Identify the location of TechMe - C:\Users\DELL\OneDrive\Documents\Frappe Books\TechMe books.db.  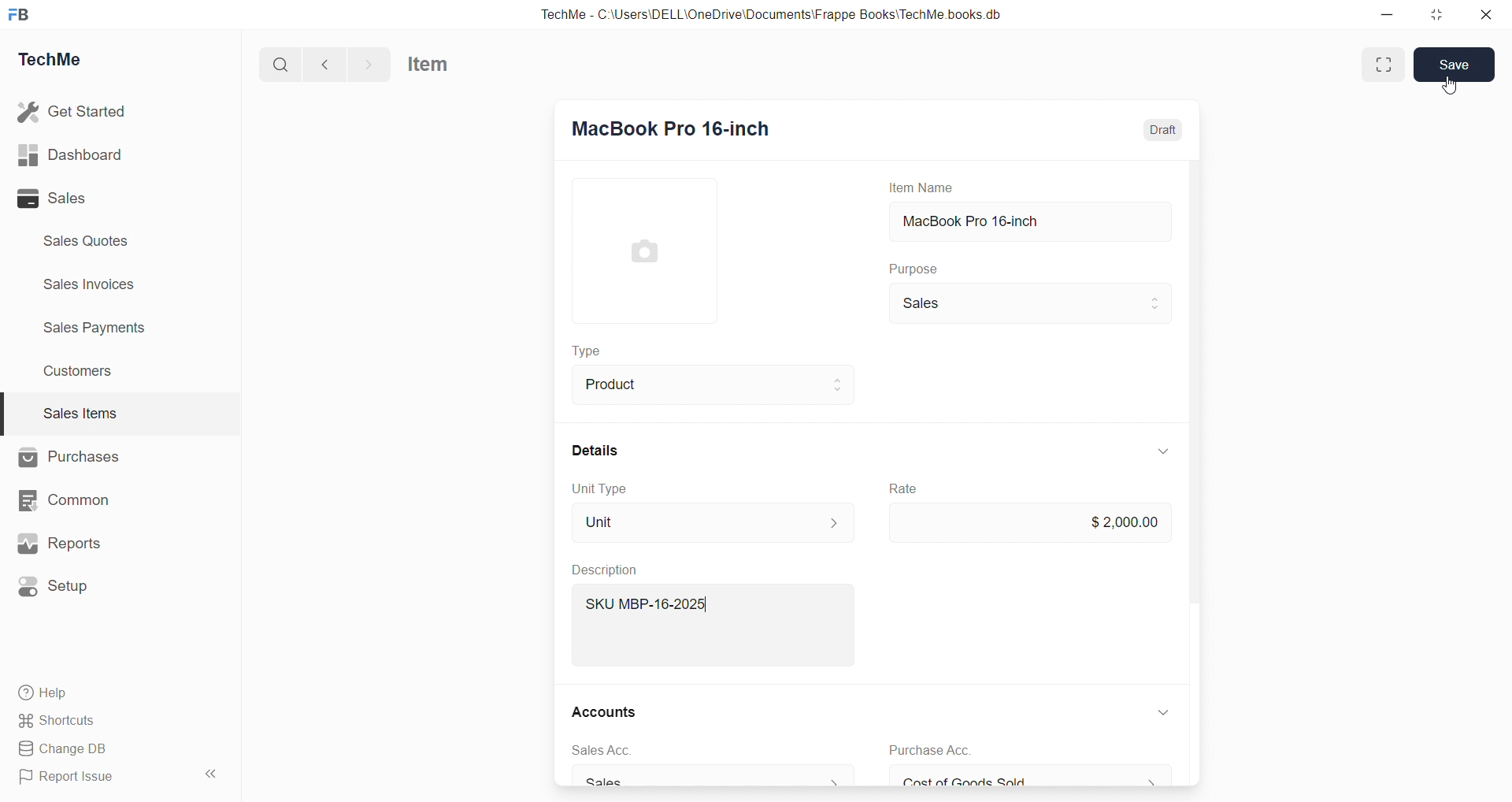
(773, 14).